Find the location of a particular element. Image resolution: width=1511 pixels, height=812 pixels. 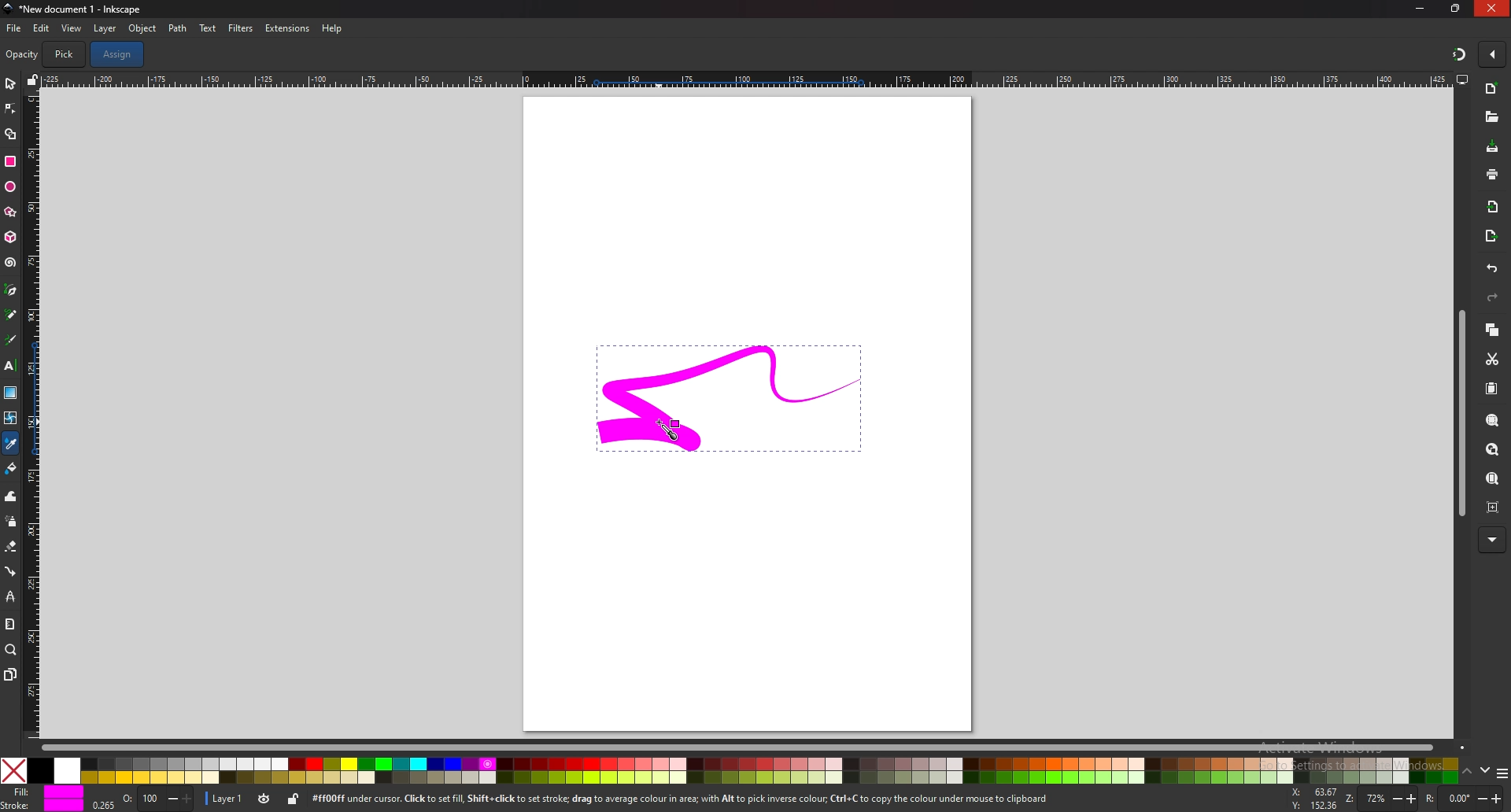

x and y coordinates is located at coordinates (1313, 798).